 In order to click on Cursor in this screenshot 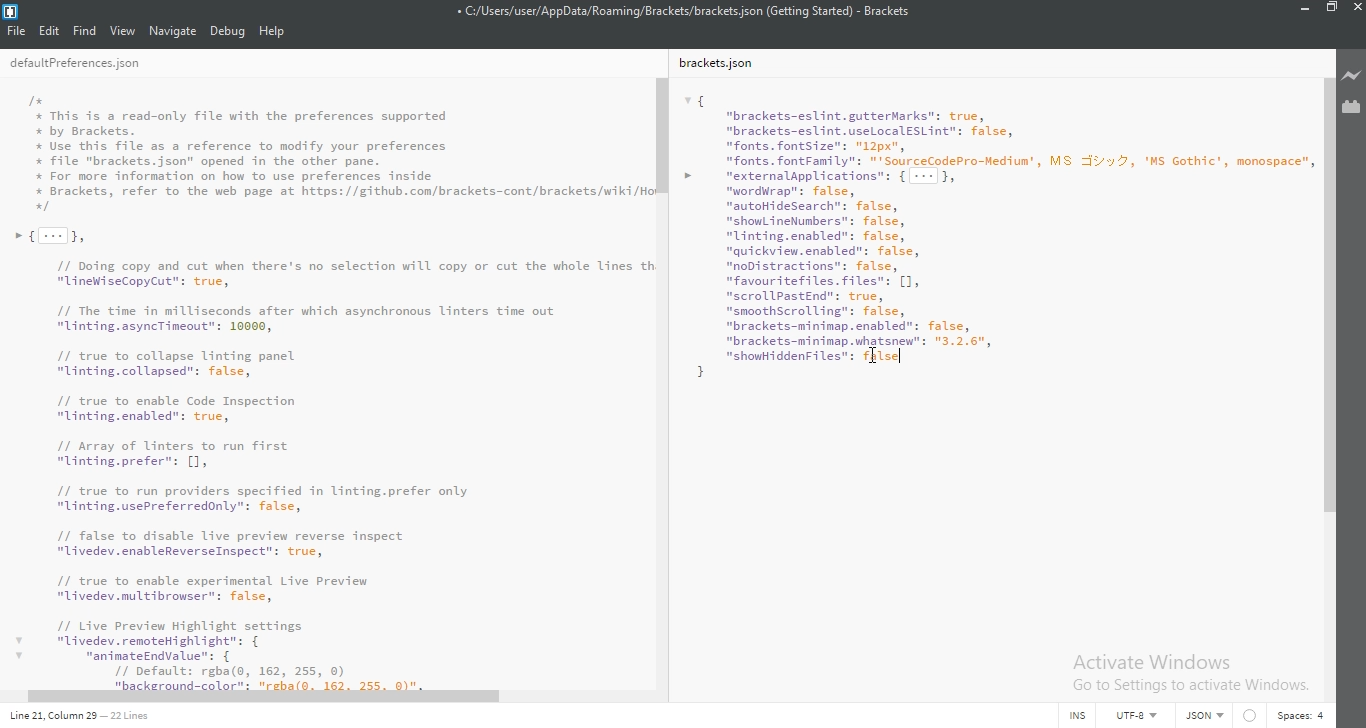, I will do `click(874, 357)`.